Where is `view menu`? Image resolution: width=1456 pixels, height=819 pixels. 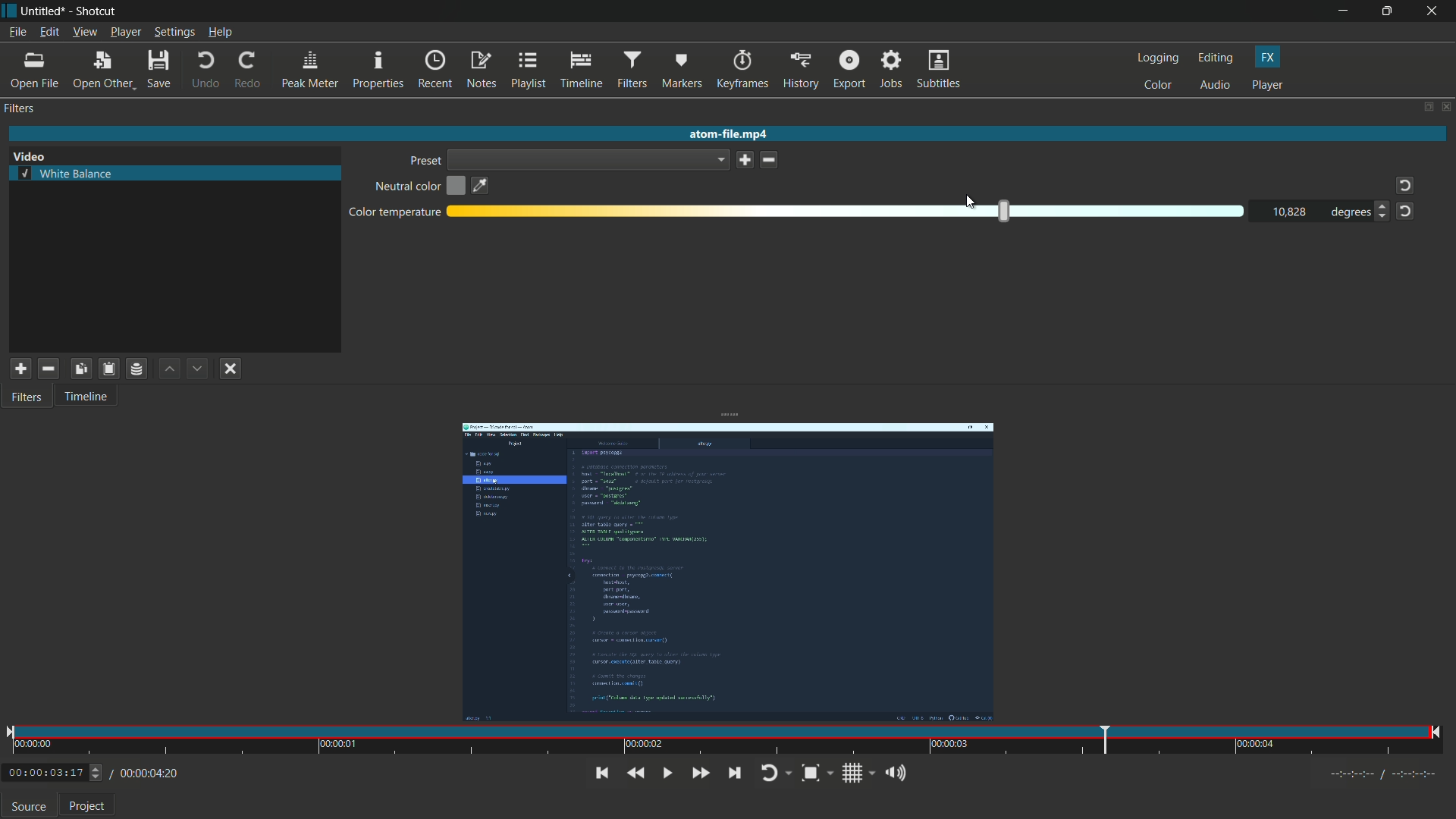
view menu is located at coordinates (84, 32).